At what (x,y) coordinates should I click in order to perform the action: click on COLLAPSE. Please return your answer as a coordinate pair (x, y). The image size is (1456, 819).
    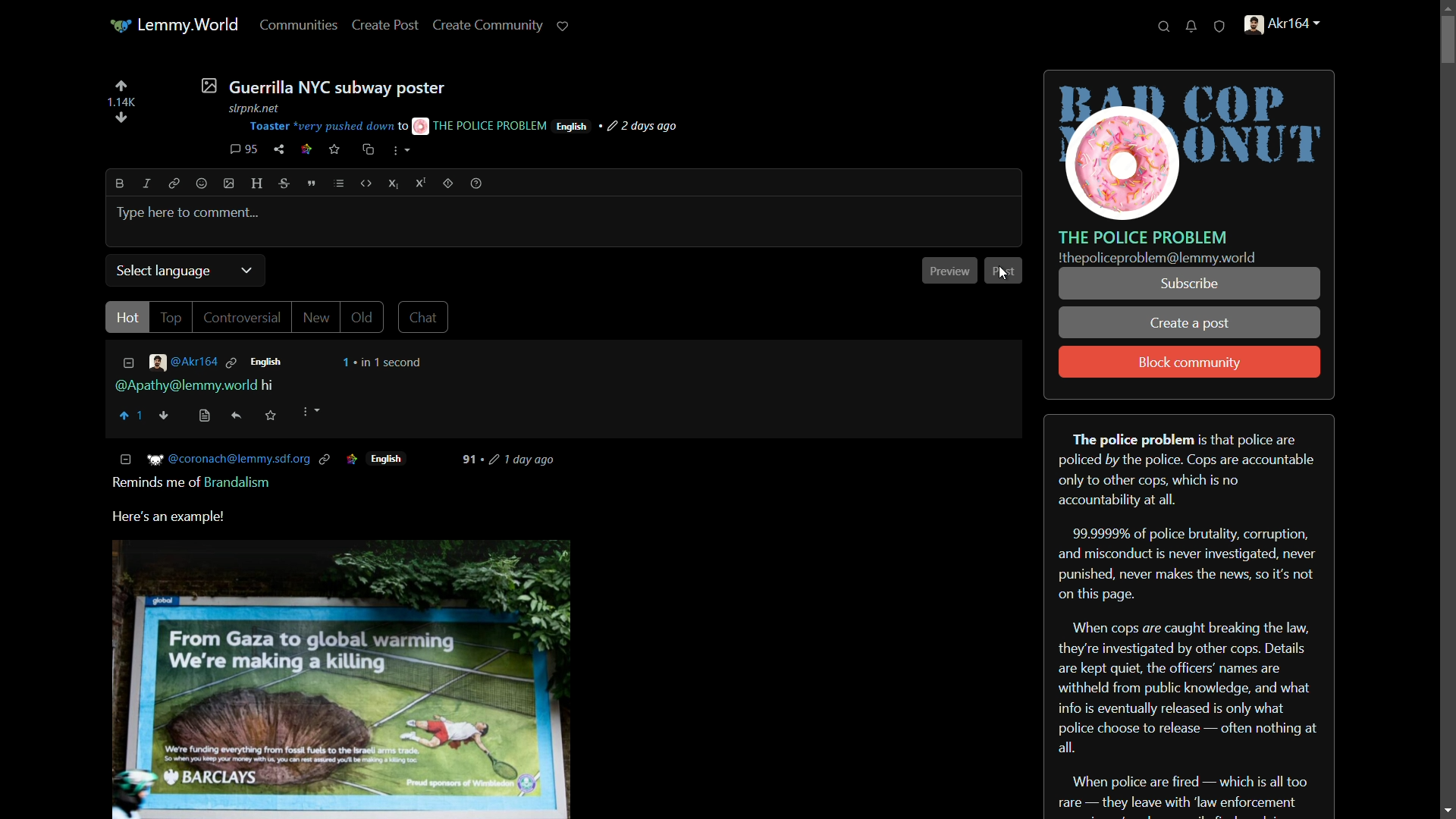
    Looking at the image, I should click on (129, 458).